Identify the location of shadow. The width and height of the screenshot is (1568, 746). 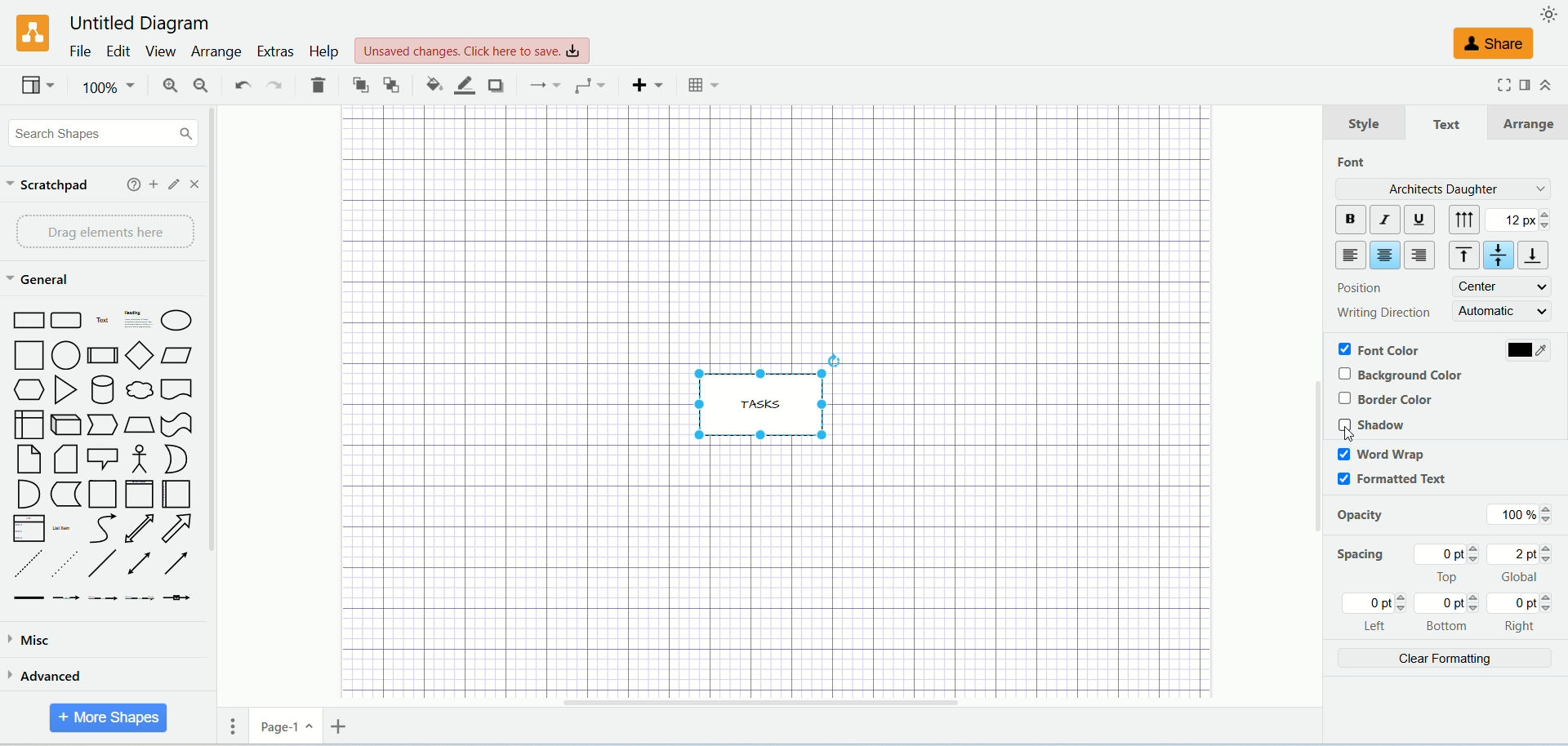
(494, 85).